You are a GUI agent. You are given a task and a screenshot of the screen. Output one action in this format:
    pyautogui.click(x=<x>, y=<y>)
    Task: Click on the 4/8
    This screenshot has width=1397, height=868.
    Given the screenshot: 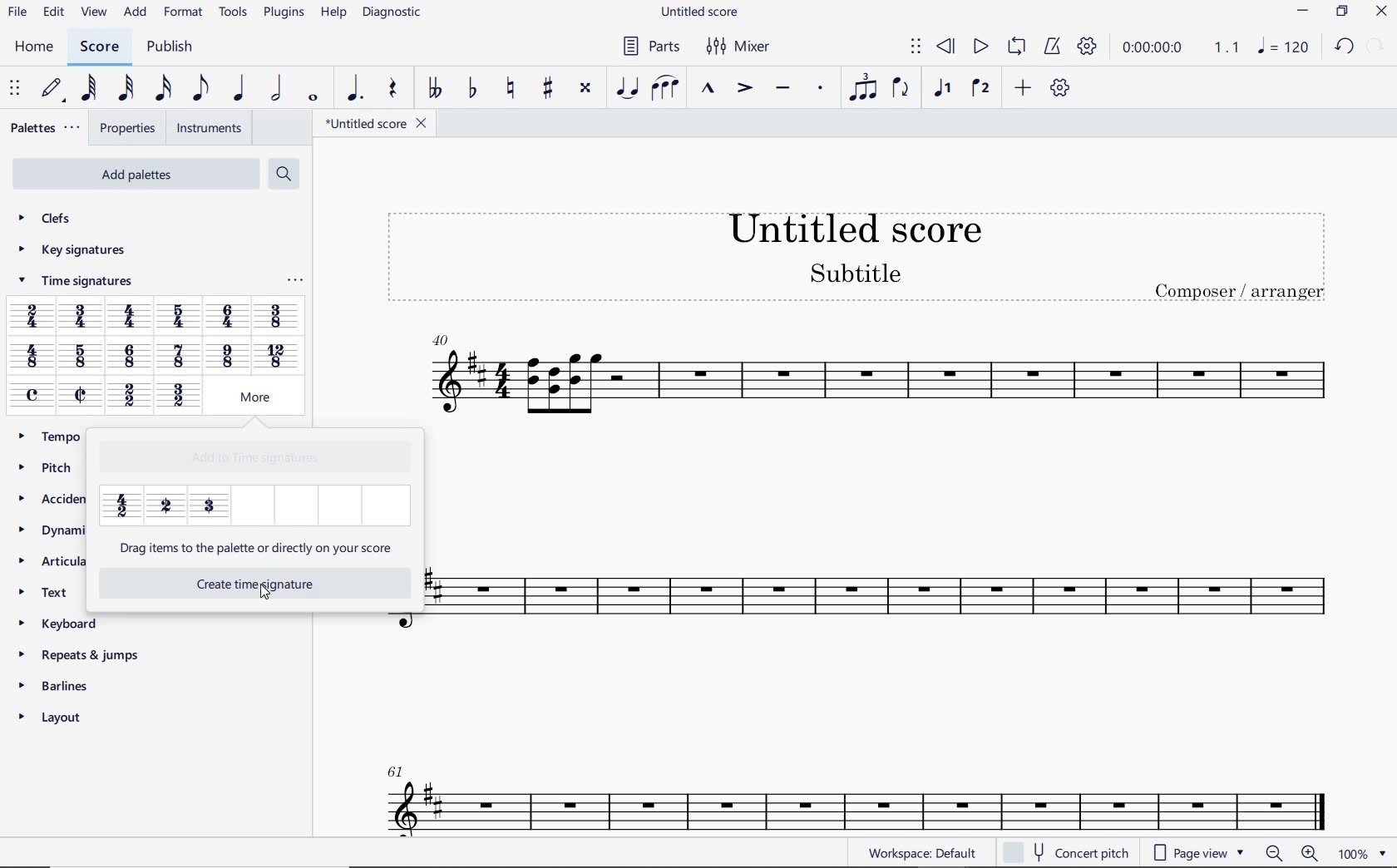 What is the action you would take?
    pyautogui.click(x=32, y=358)
    